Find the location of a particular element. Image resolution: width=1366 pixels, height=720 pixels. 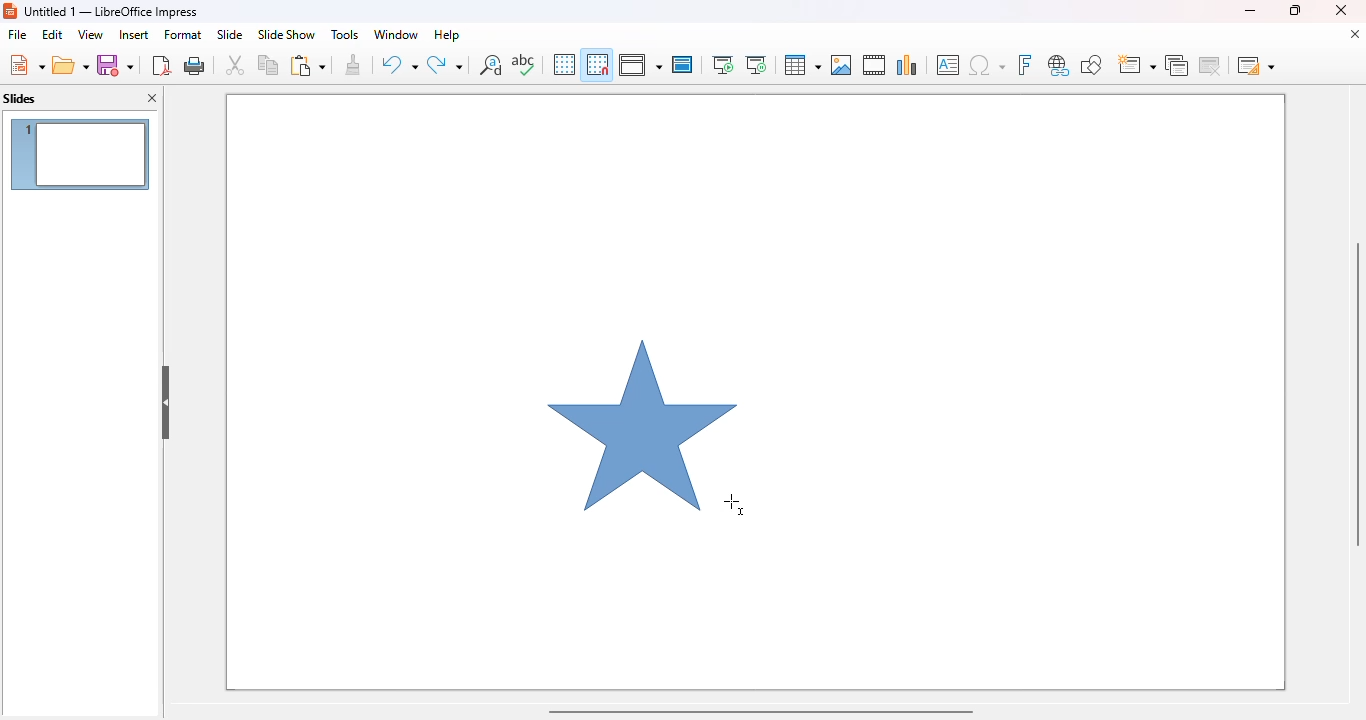

display grid is located at coordinates (563, 64).